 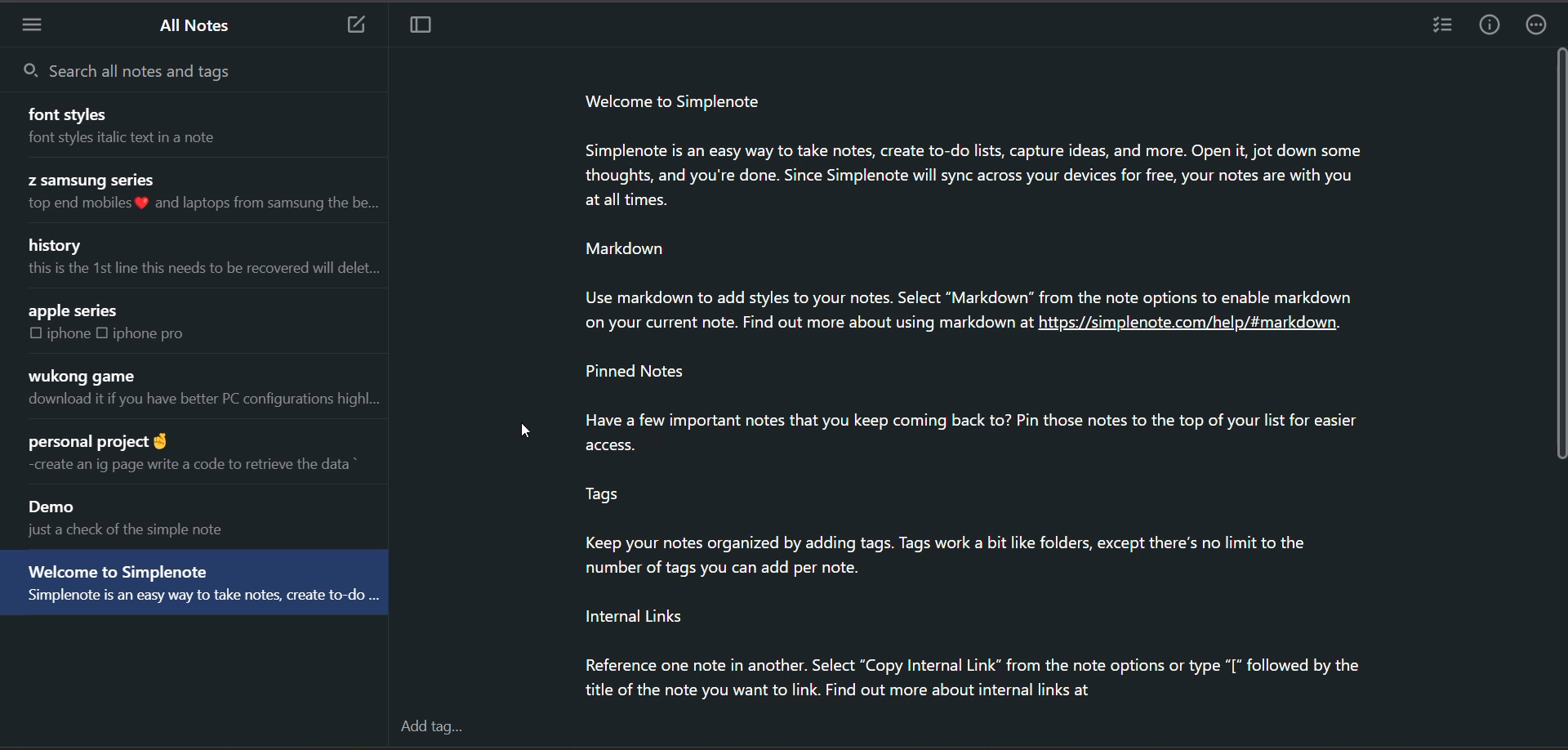 What do you see at coordinates (1558, 257) in the screenshot?
I see `vertical scroll bar` at bounding box center [1558, 257].